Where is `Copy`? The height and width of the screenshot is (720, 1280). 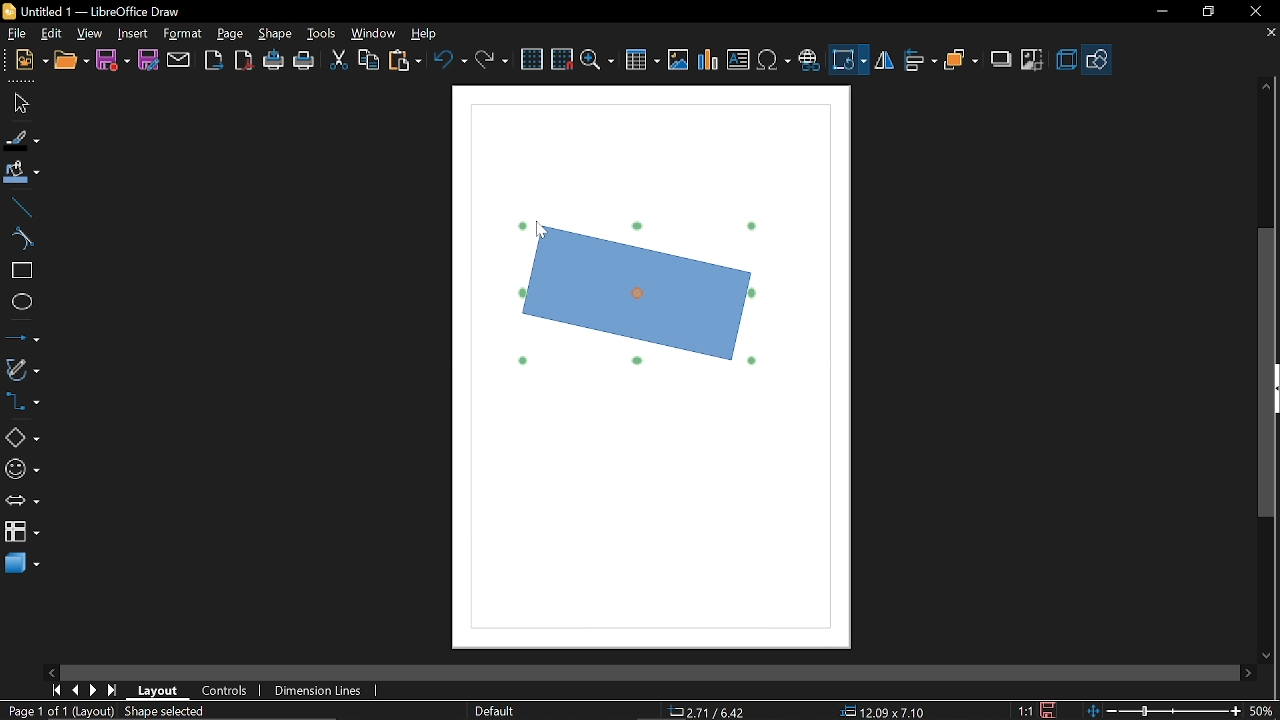
Copy is located at coordinates (368, 59).